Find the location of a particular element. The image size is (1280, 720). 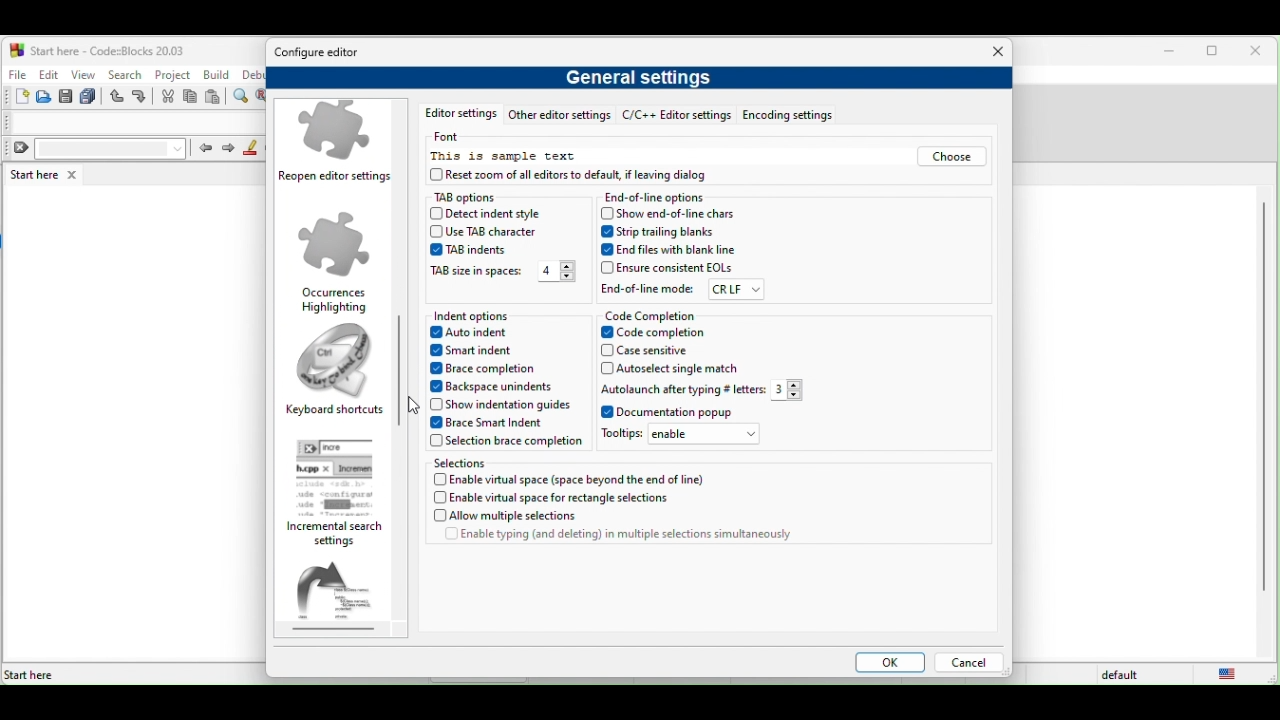

autolaunch after typing # letters is located at coordinates (681, 389).